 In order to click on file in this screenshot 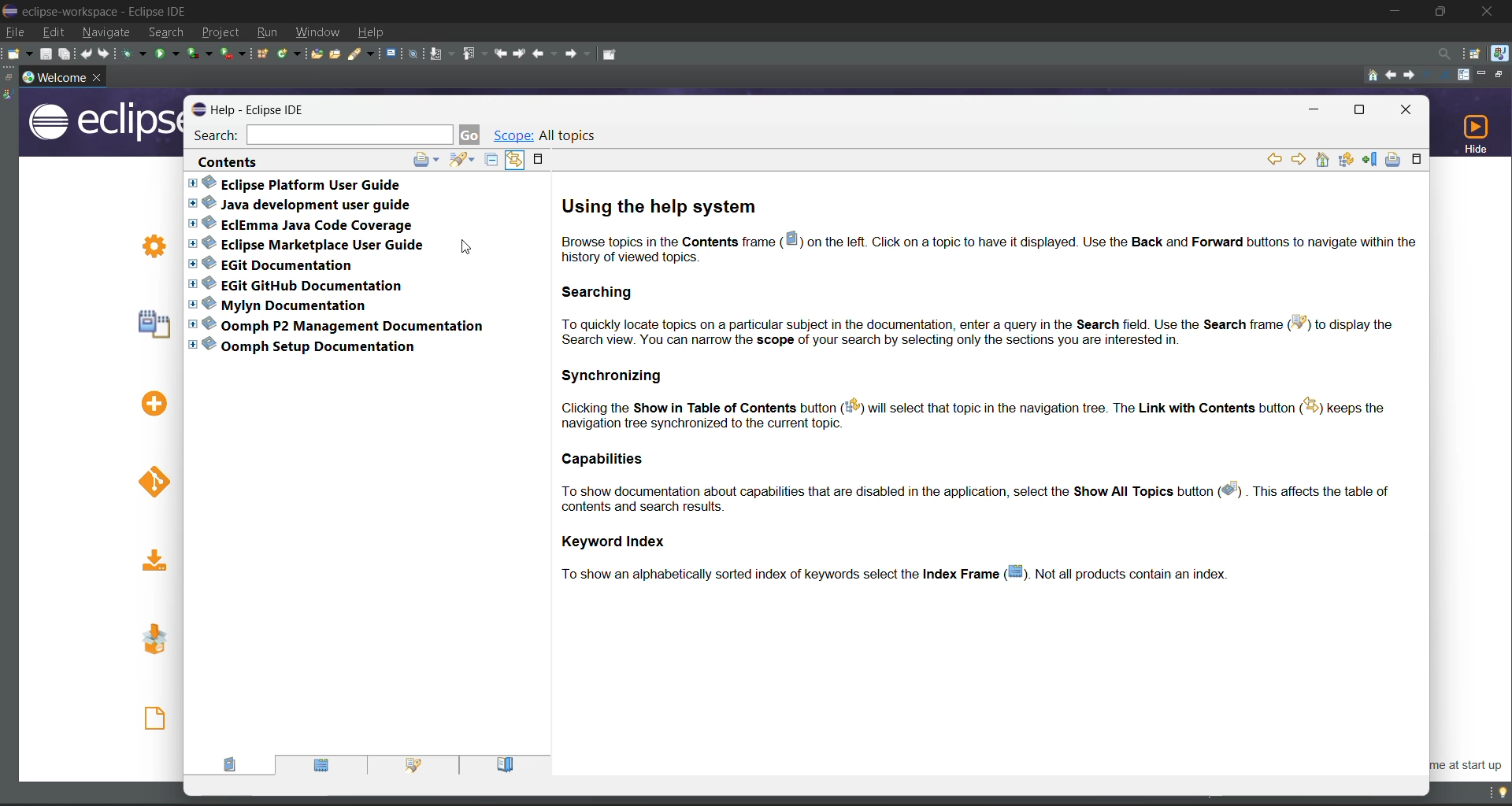, I will do `click(17, 29)`.